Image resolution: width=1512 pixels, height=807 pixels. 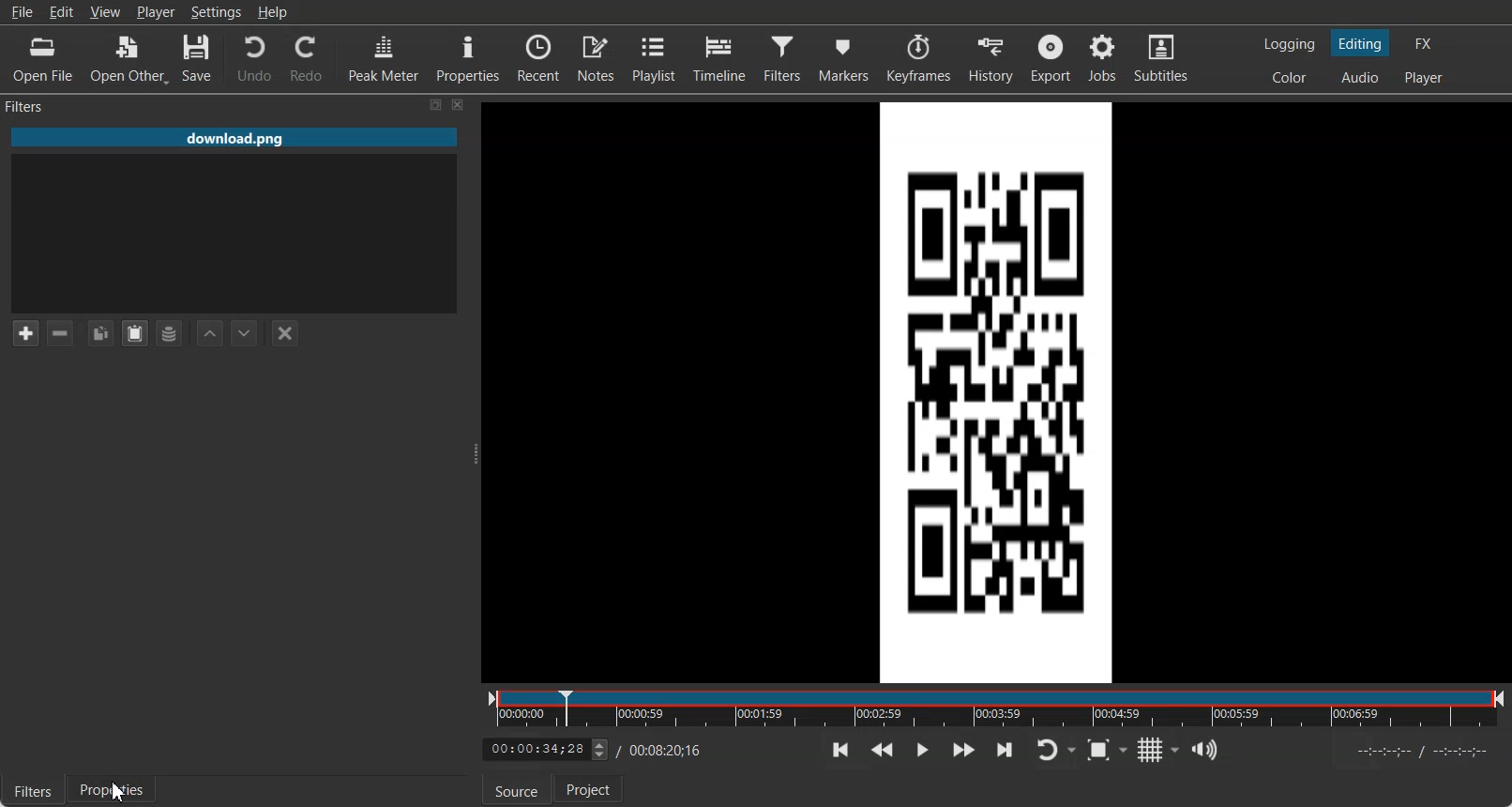 What do you see at coordinates (992, 389) in the screenshot?
I see `File Preview` at bounding box center [992, 389].